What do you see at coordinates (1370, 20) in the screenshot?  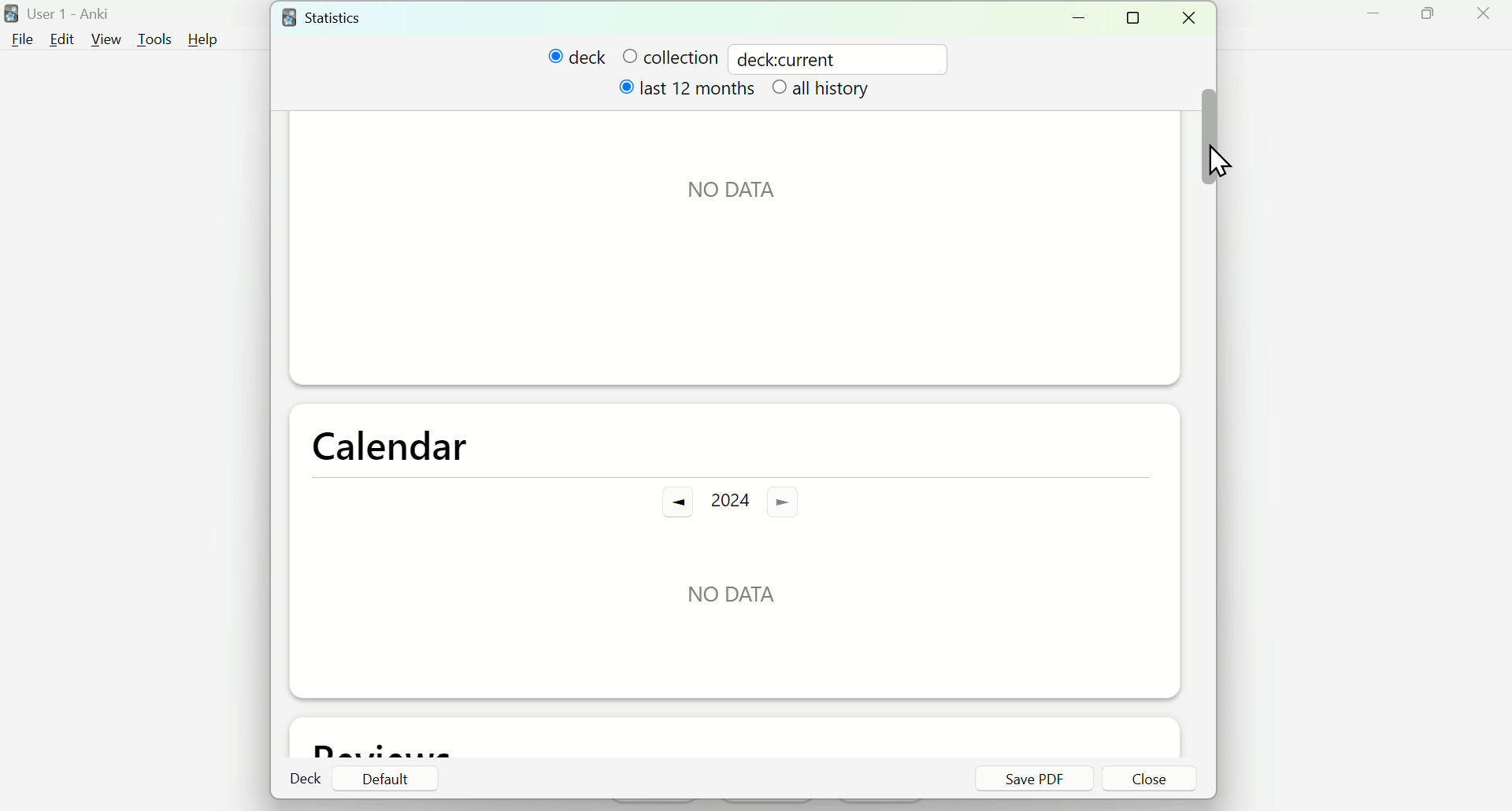 I see `Minimize` at bounding box center [1370, 20].